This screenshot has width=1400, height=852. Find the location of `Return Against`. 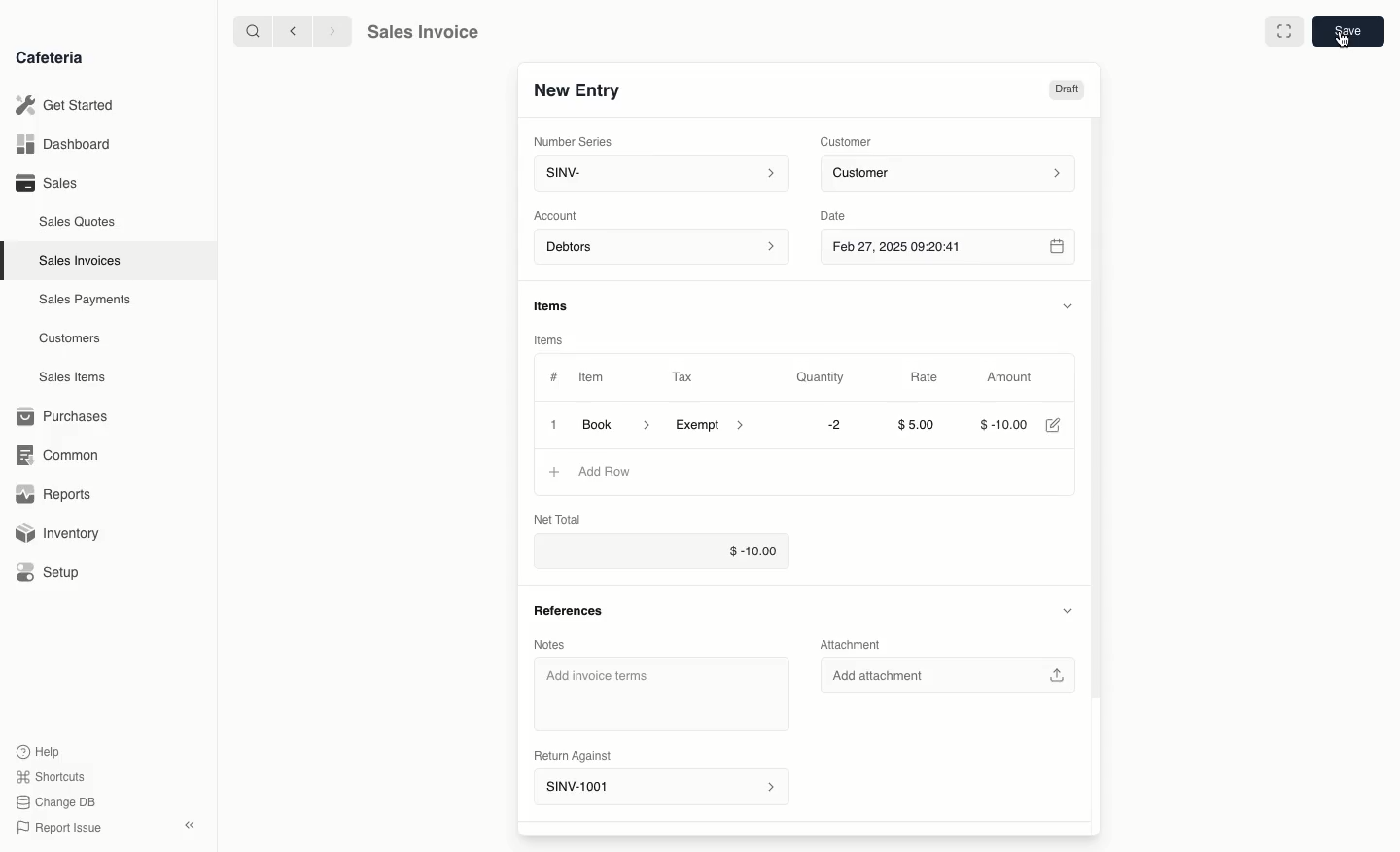

Return Against is located at coordinates (570, 755).